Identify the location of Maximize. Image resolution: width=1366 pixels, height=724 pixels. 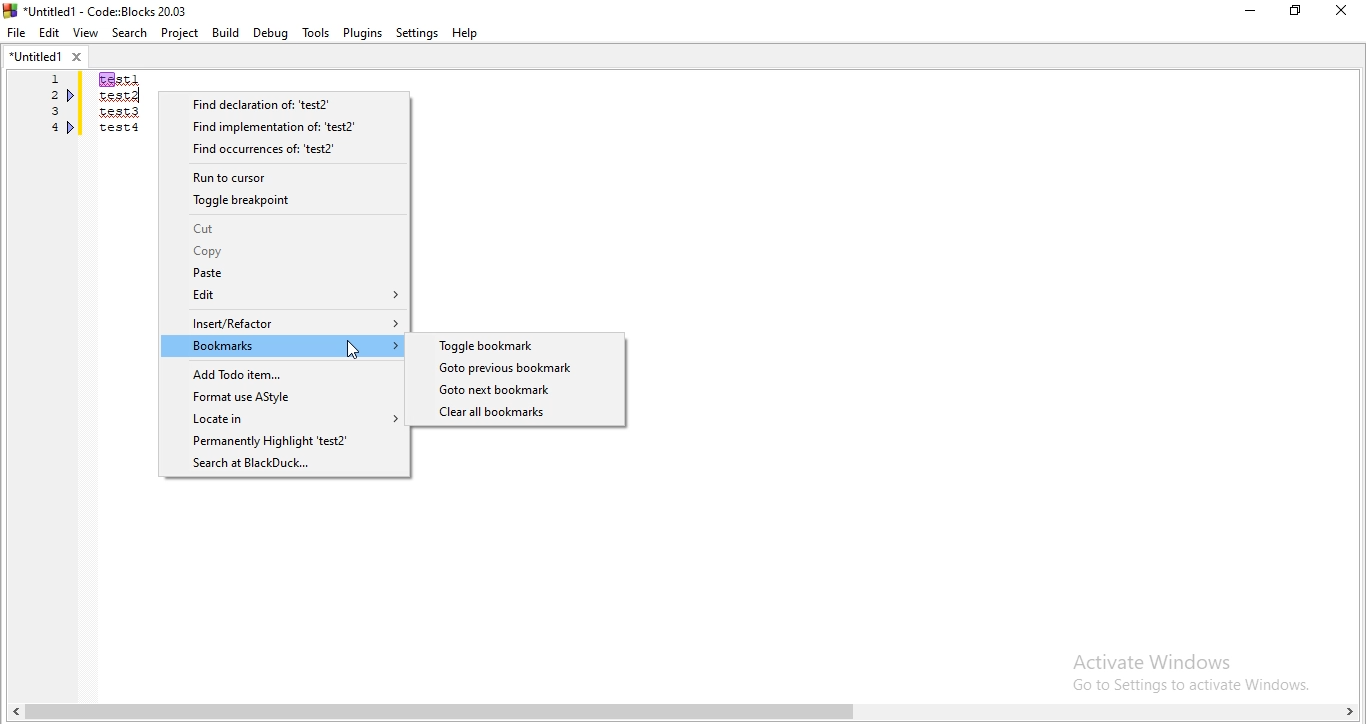
(1299, 13).